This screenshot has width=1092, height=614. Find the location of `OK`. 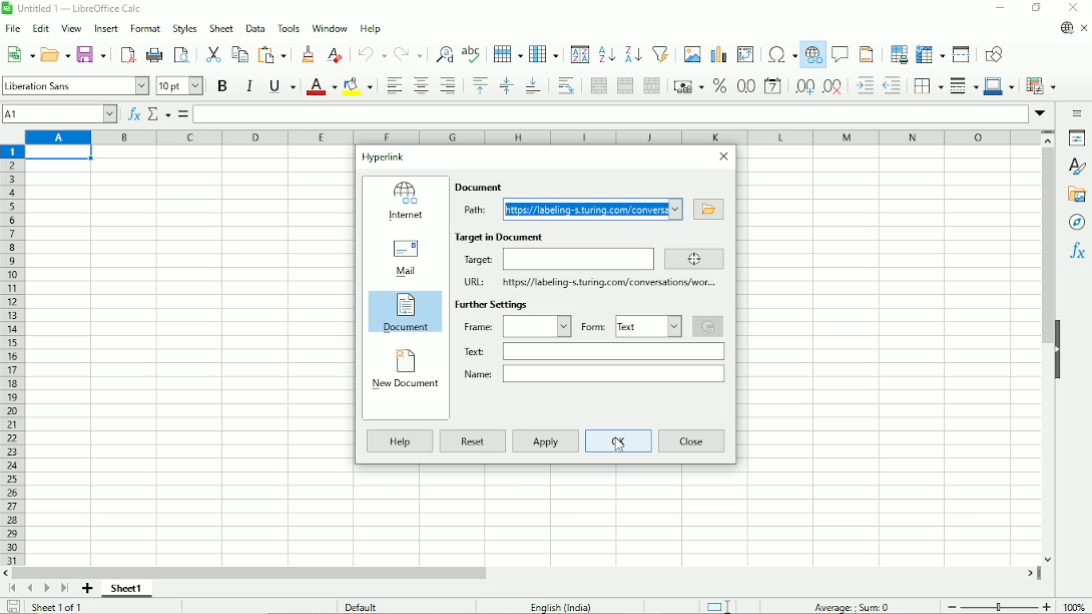

OK is located at coordinates (619, 441).